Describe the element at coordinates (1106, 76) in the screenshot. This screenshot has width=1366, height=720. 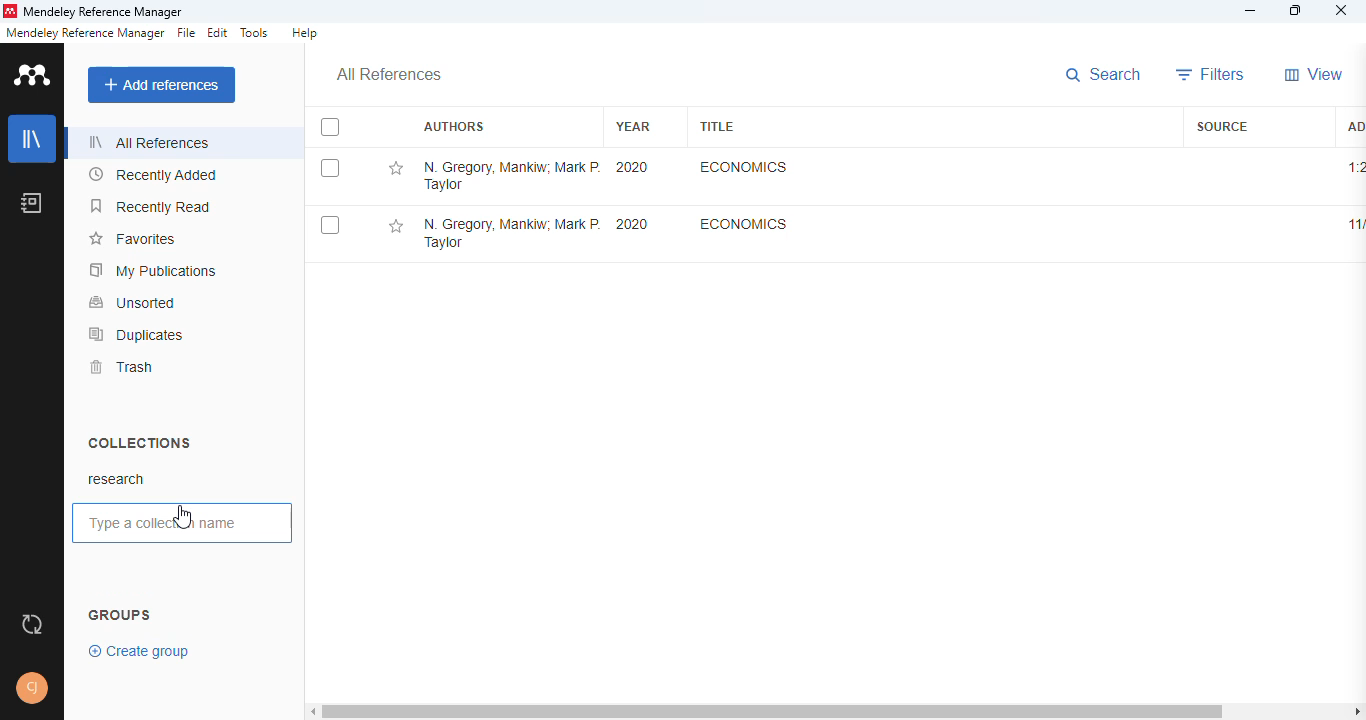
I see `search` at that location.